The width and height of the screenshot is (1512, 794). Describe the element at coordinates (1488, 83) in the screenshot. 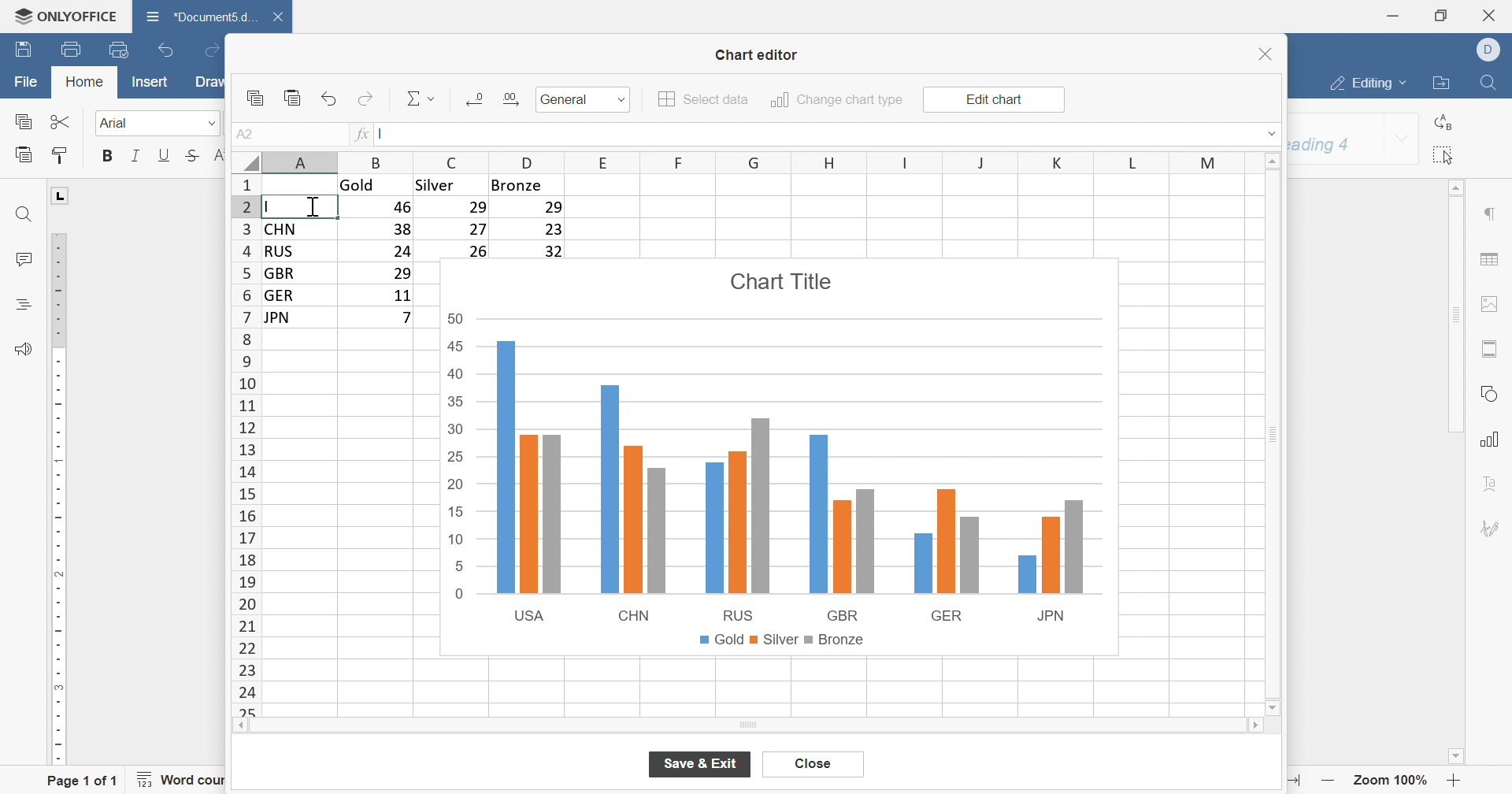

I see `find` at that location.